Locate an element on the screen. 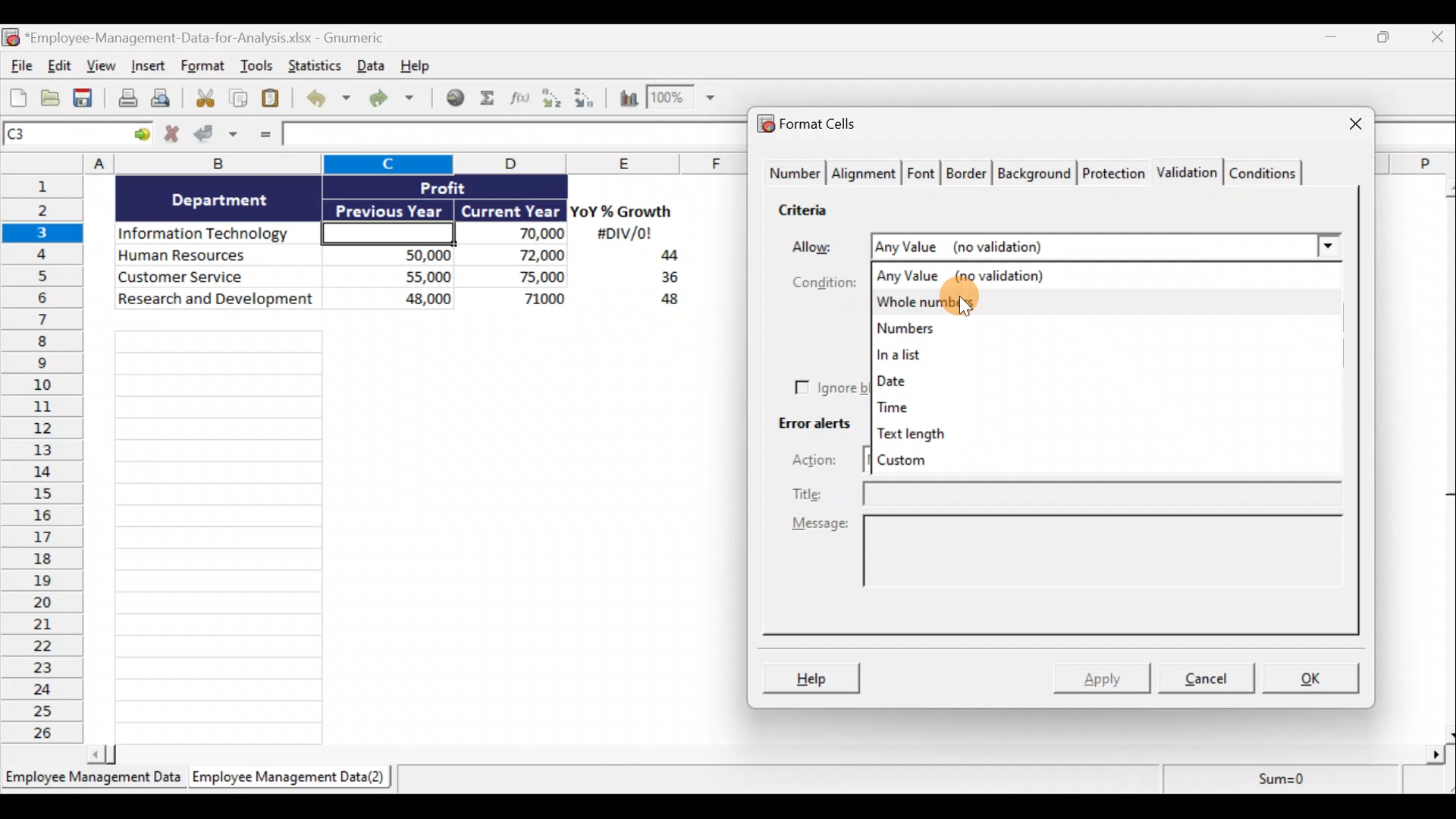 The image size is (1456, 819). *Employee-Management-Data-for-Analysis.xlsx - Gnumeric is located at coordinates (222, 36).